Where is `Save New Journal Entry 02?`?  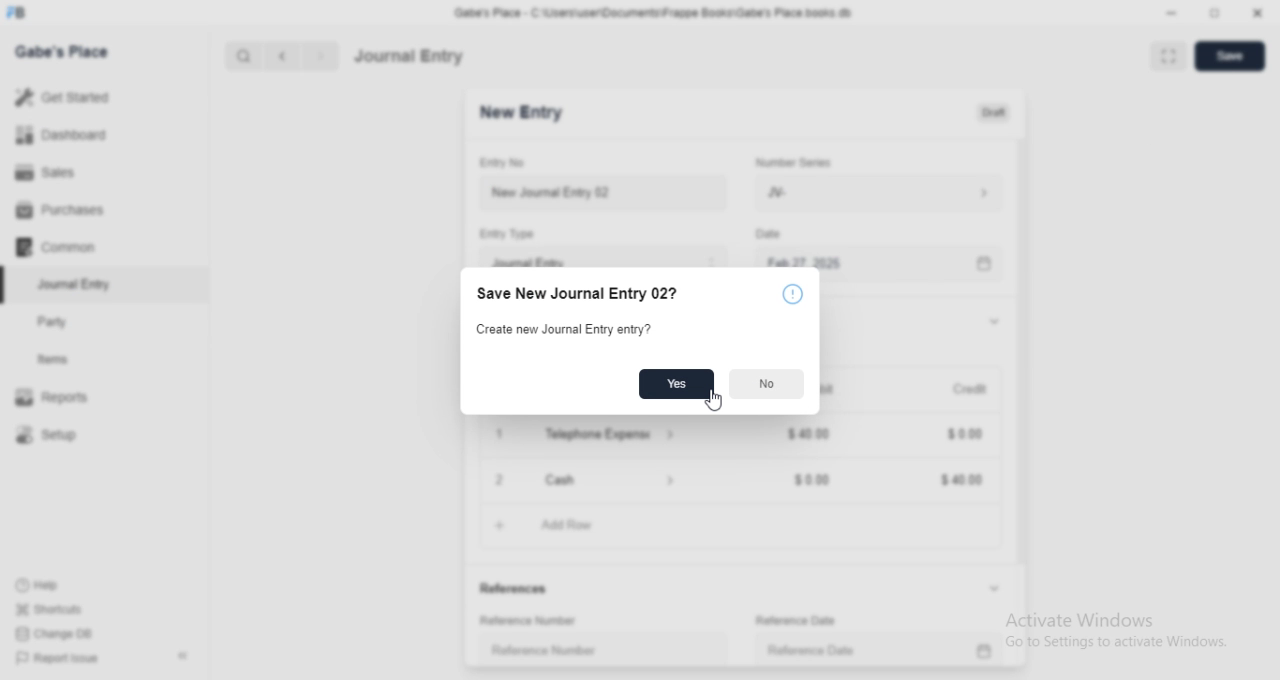
Save New Journal Entry 02? is located at coordinates (577, 295).